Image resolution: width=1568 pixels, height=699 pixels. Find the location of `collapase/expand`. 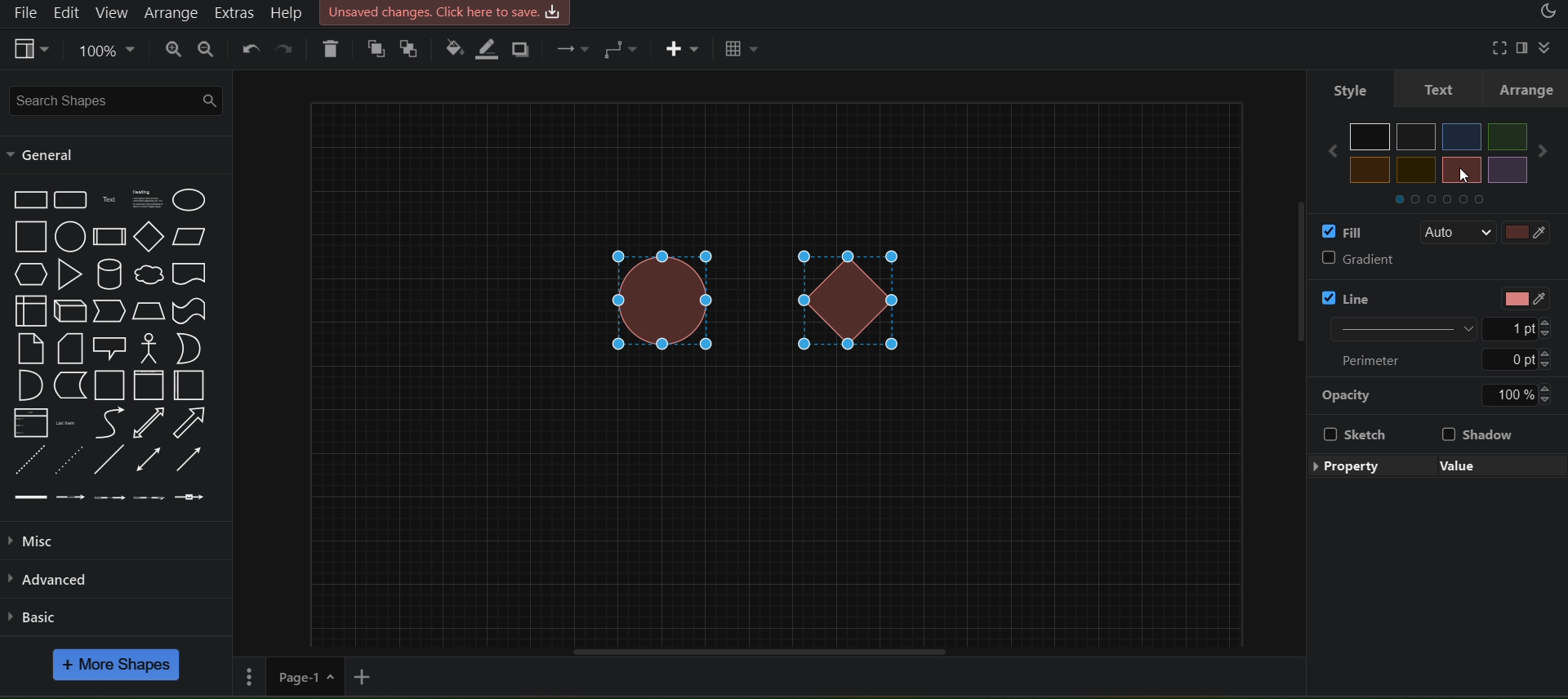

collapase/expand is located at coordinates (1549, 46).